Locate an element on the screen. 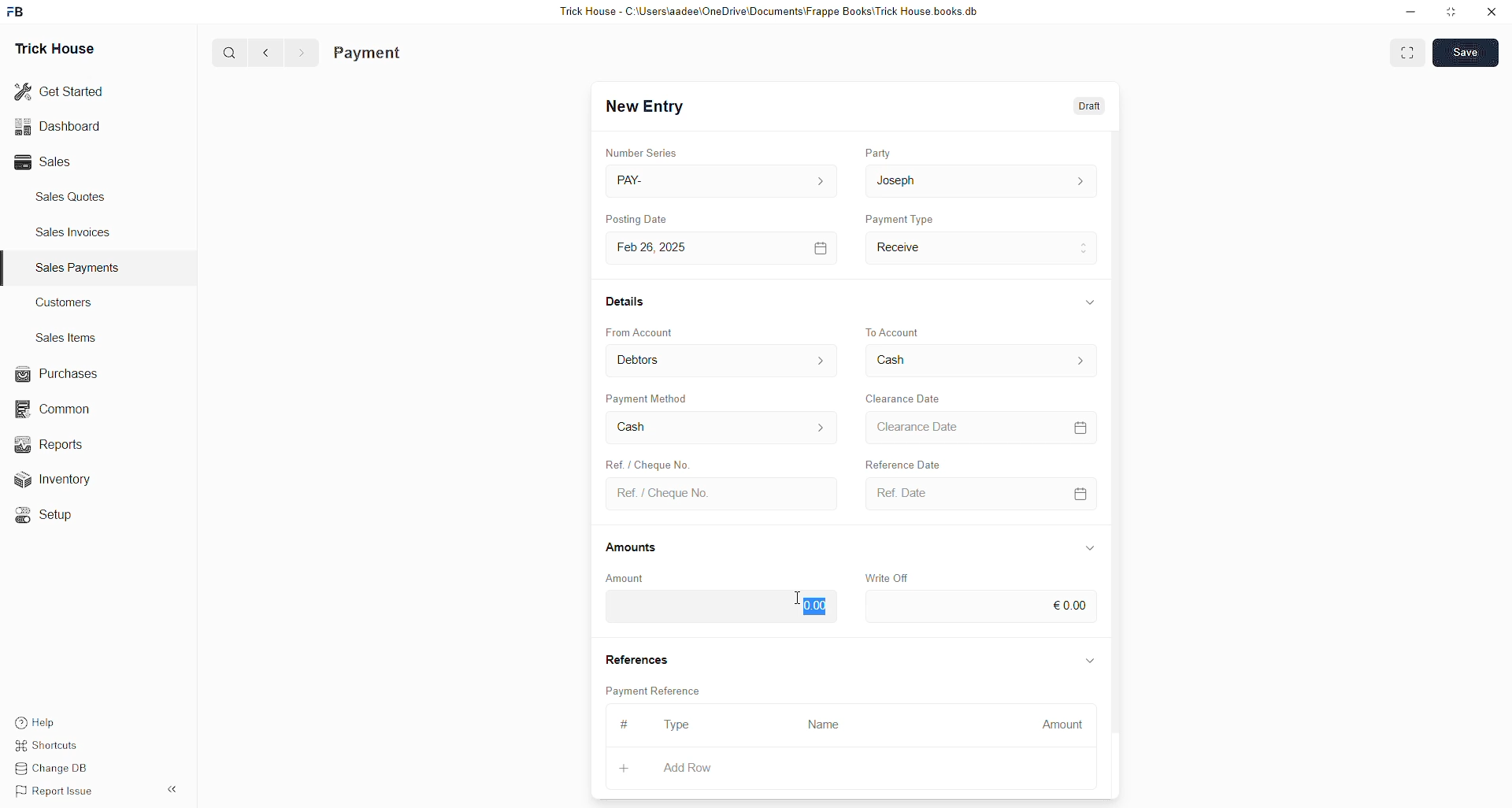 This screenshot has height=808, width=1512. Sales is located at coordinates (47, 162).